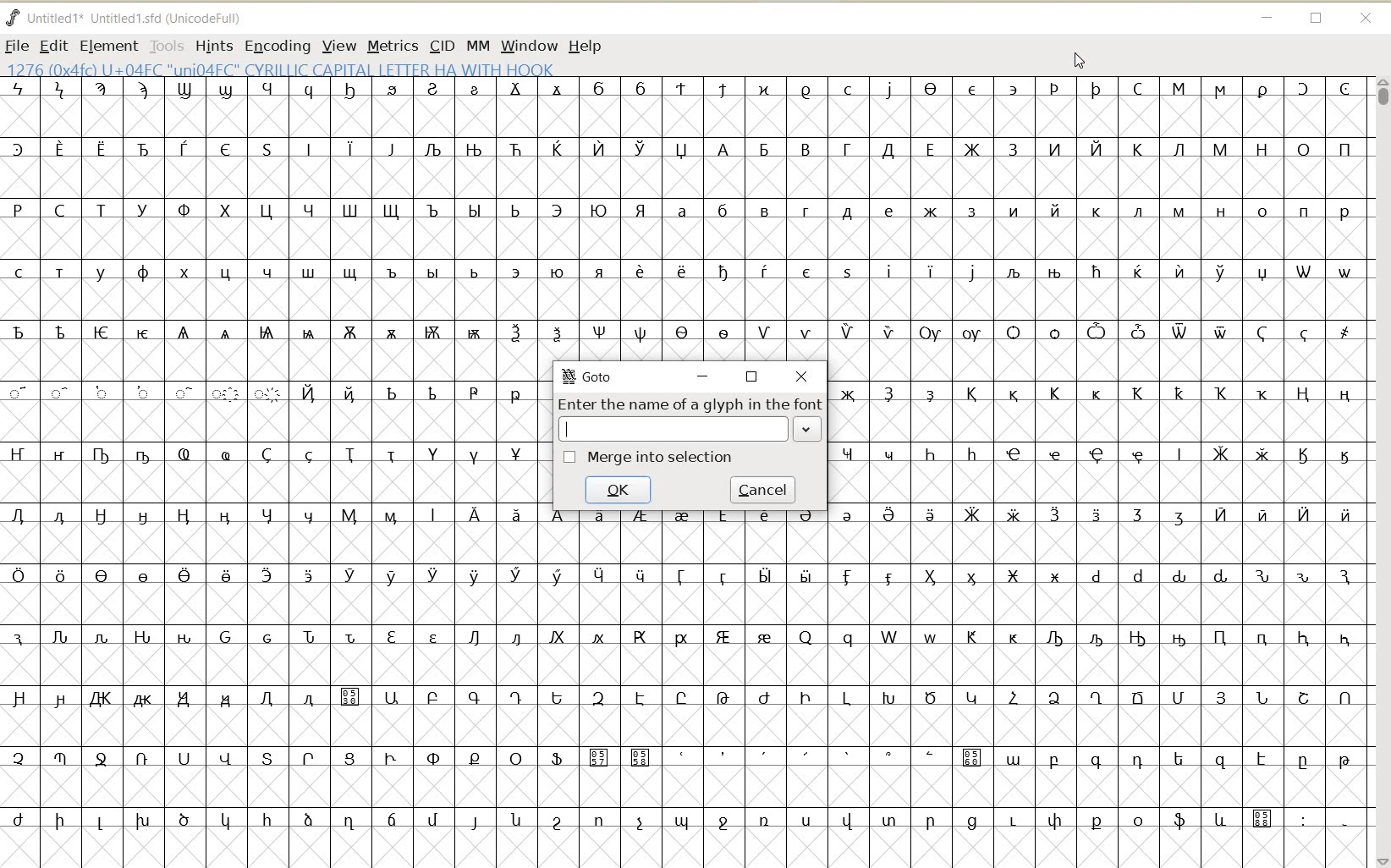 The height and width of the screenshot is (868, 1391). Describe the element at coordinates (393, 45) in the screenshot. I see `METRICS` at that location.